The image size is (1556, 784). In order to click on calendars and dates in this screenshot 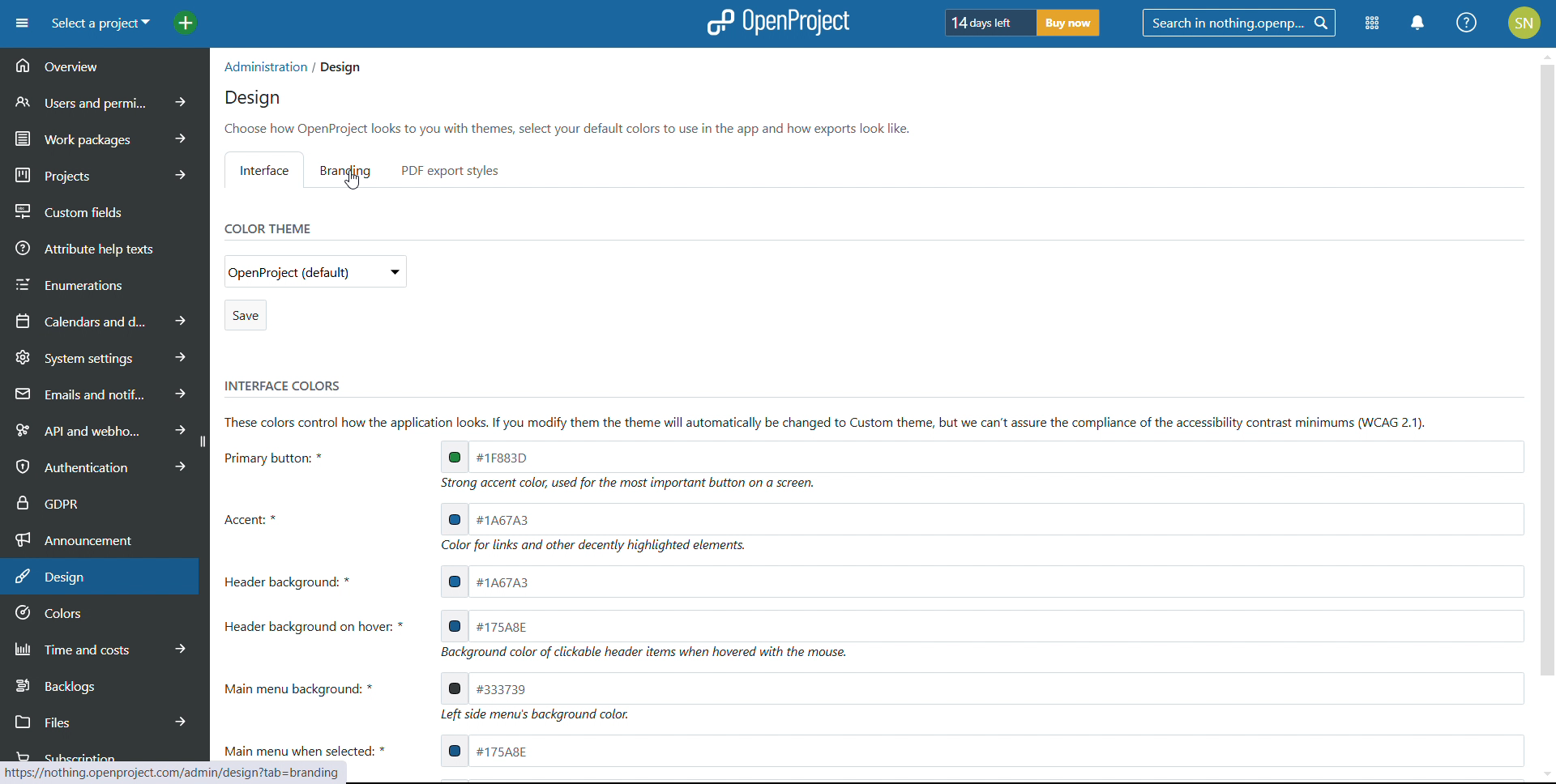, I will do `click(102, 320)`.